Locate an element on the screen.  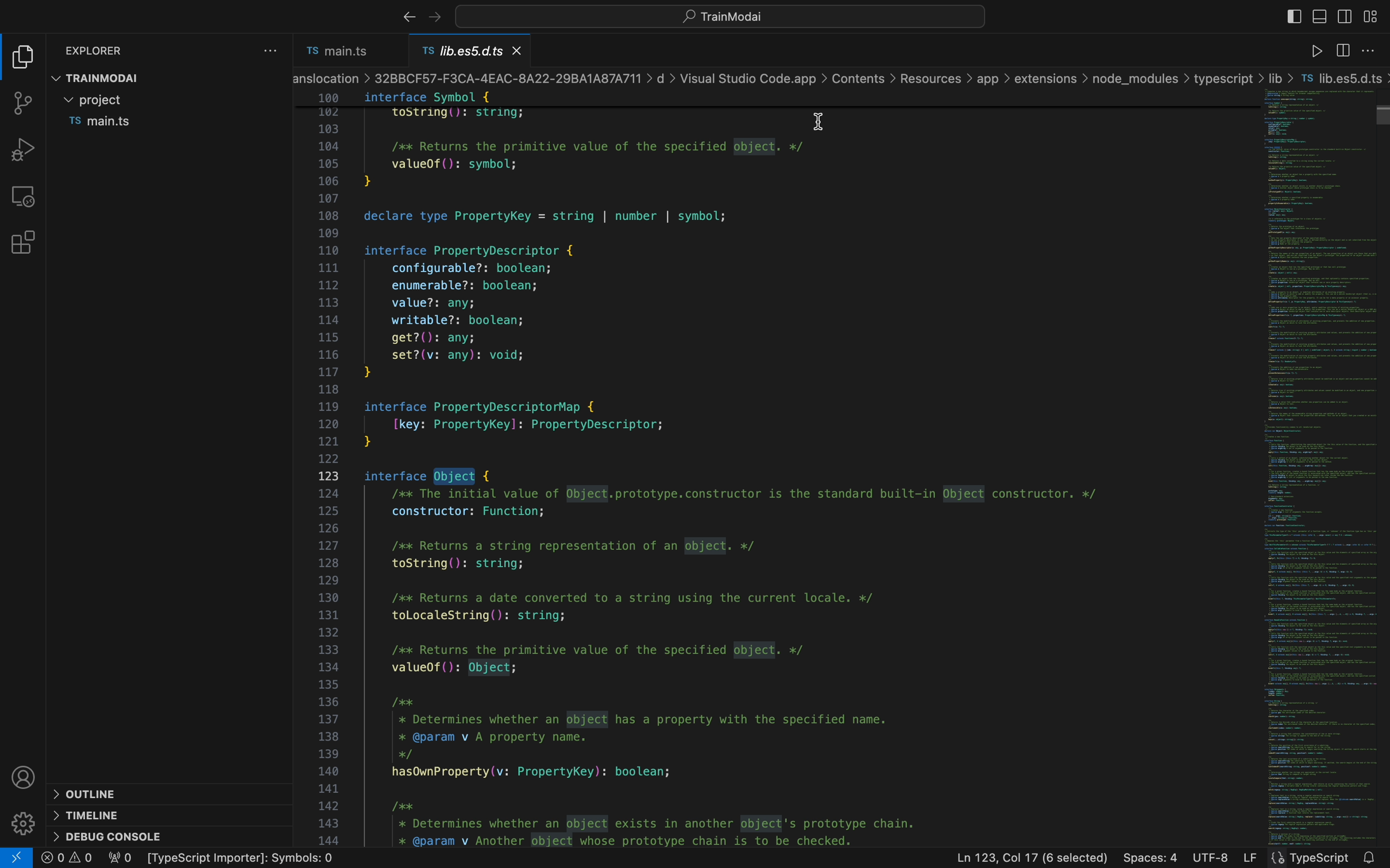
git  is located at coordinates (24, 101).